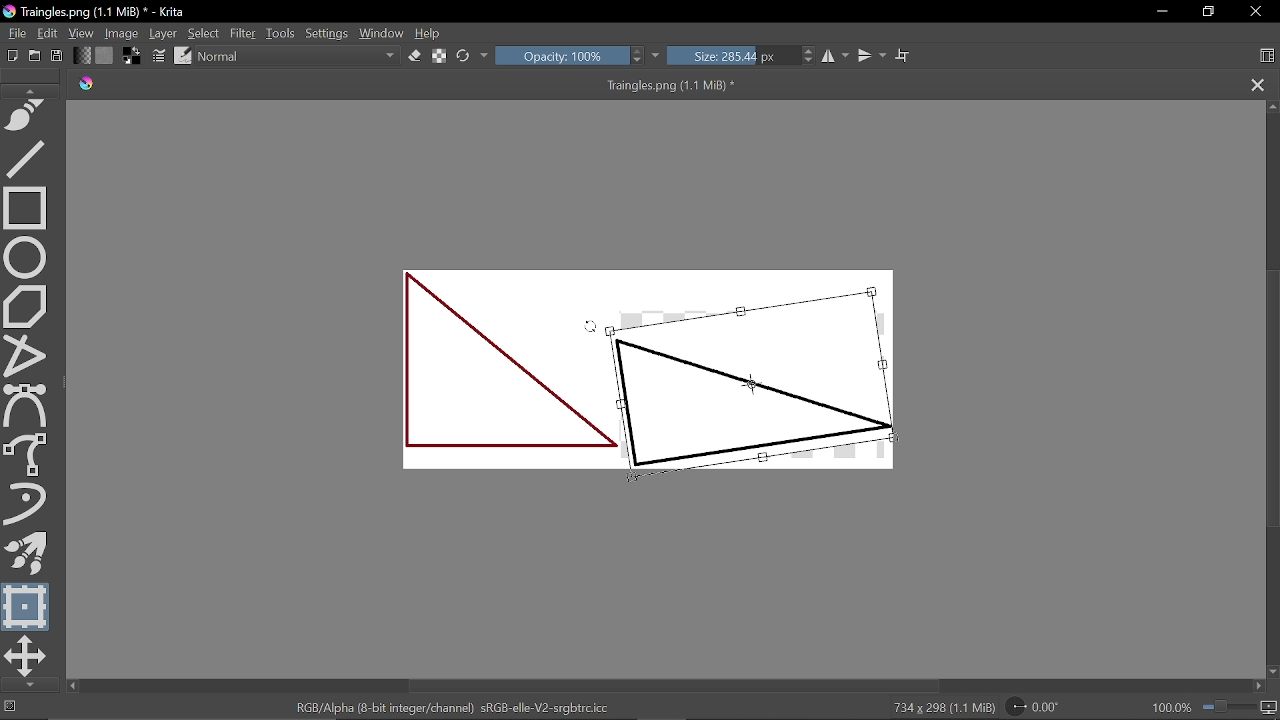  What do you see at coordinates (83, 34) in the screenshot?
I see `View` at bounding box center [83, 34].